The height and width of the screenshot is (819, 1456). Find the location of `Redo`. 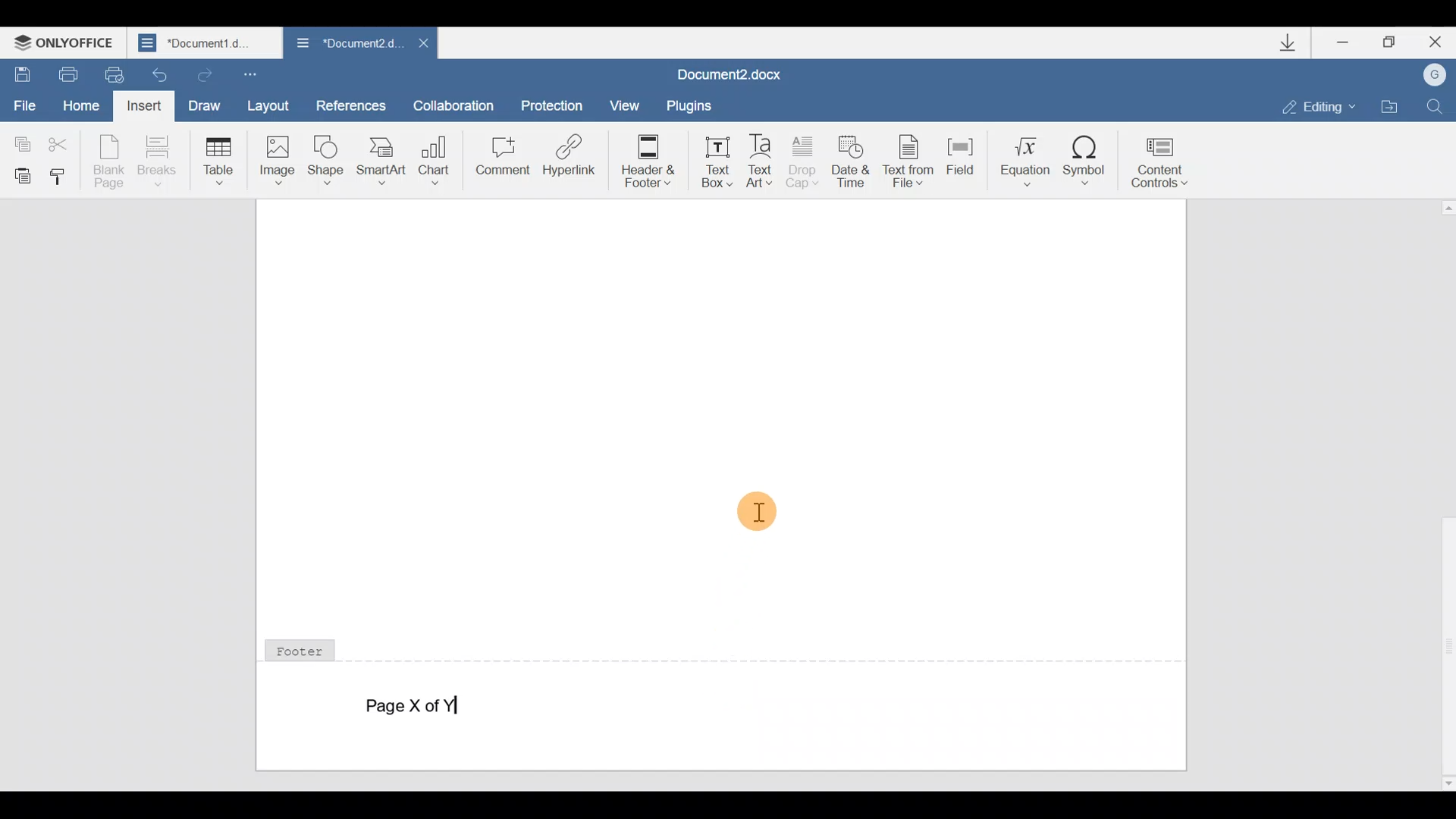

Redo is located at coordinates (206, 77).